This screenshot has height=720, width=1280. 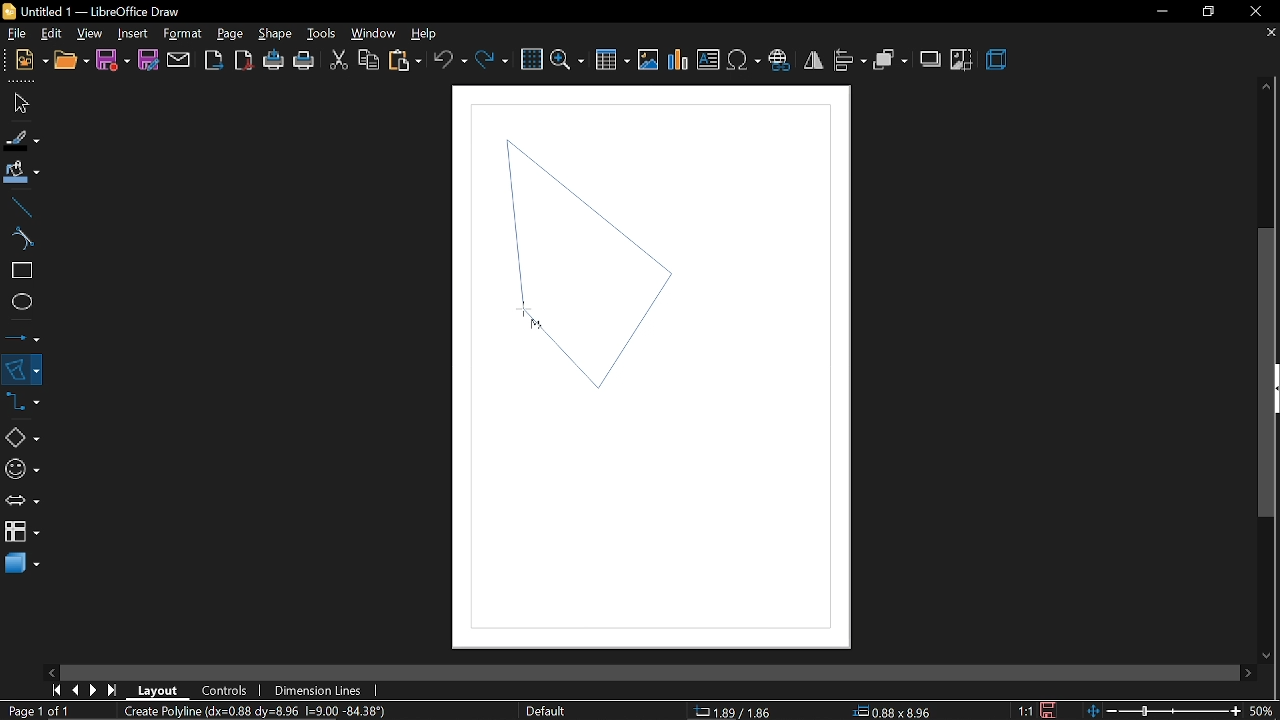 I want to click on controls, so click(x=228, y=689).